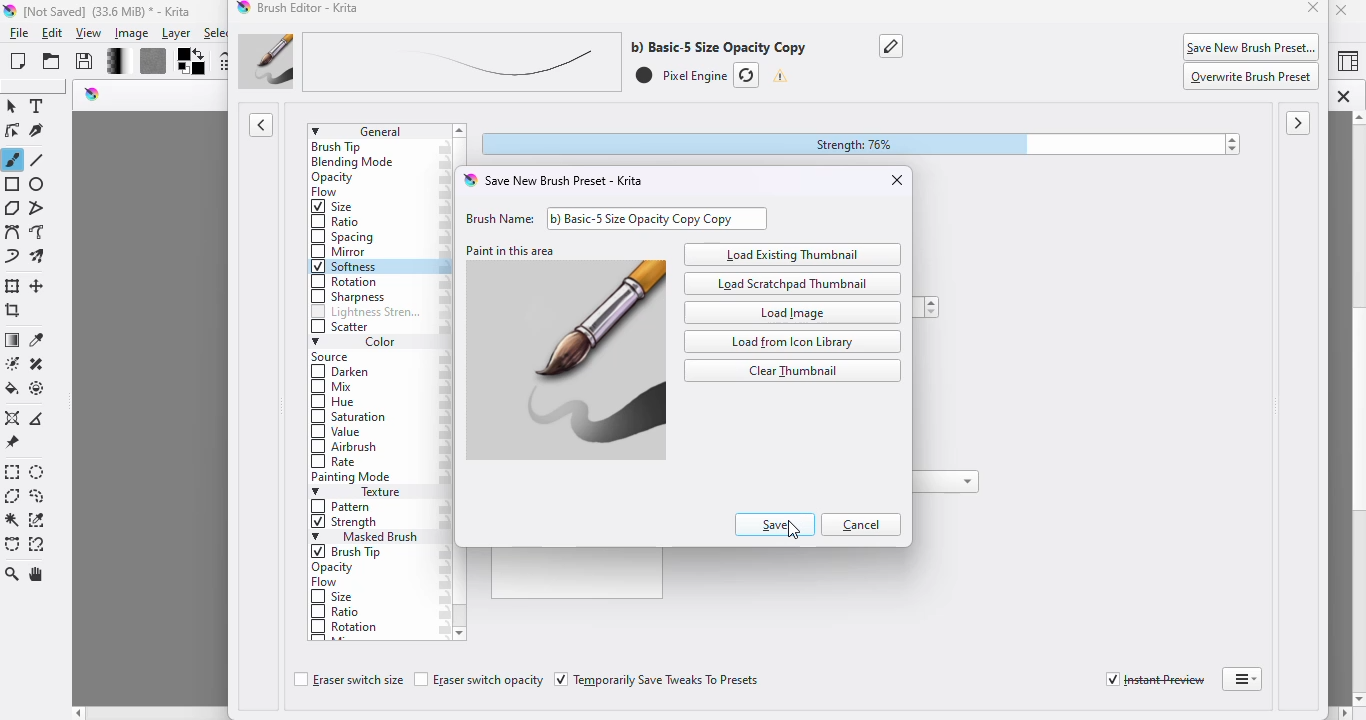  Describe the element at coordinates (343, 507) in the screenshot. I see `pattern` at that location.